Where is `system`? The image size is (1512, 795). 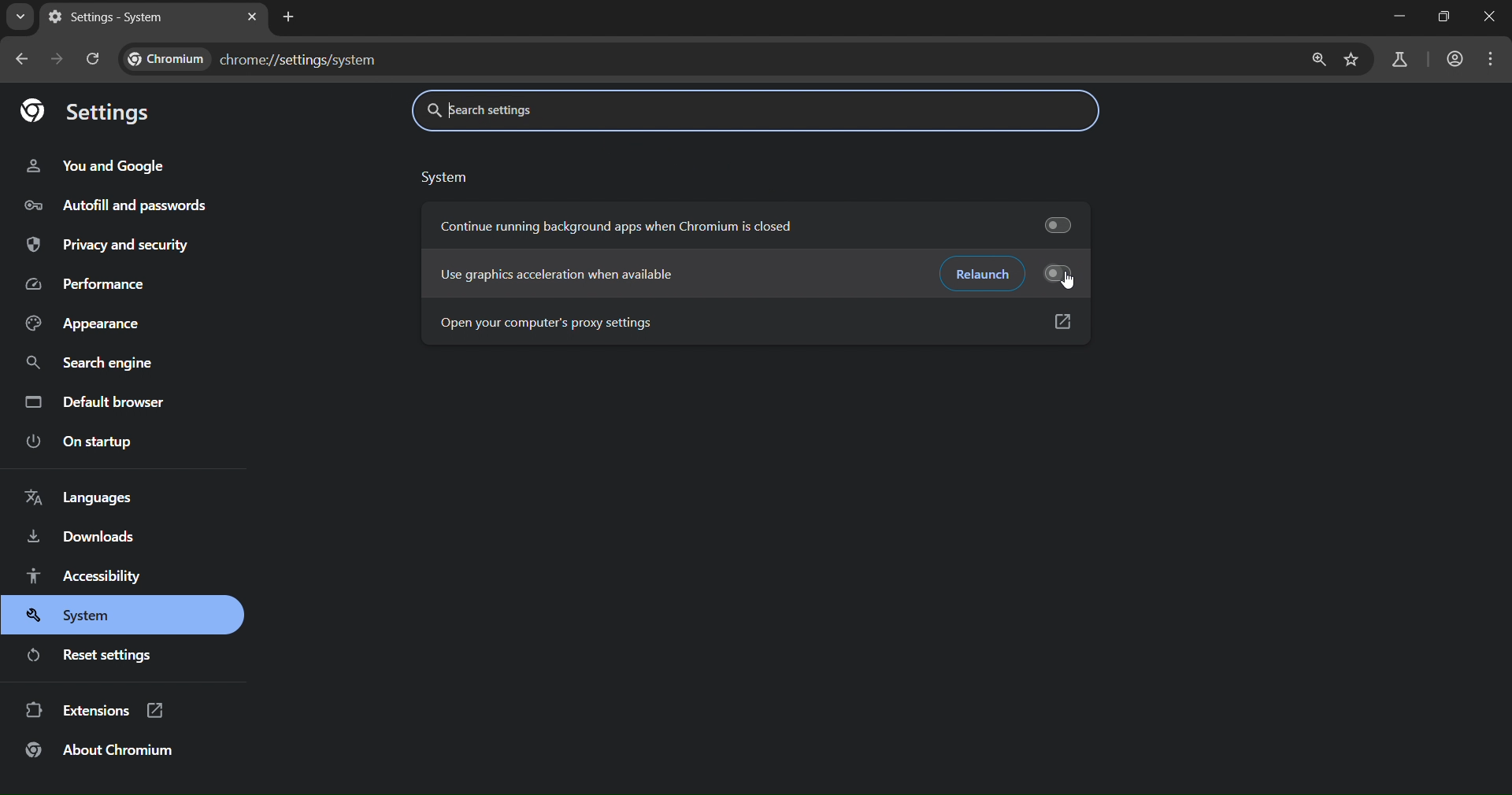
system is located at coordinates (455, 176).